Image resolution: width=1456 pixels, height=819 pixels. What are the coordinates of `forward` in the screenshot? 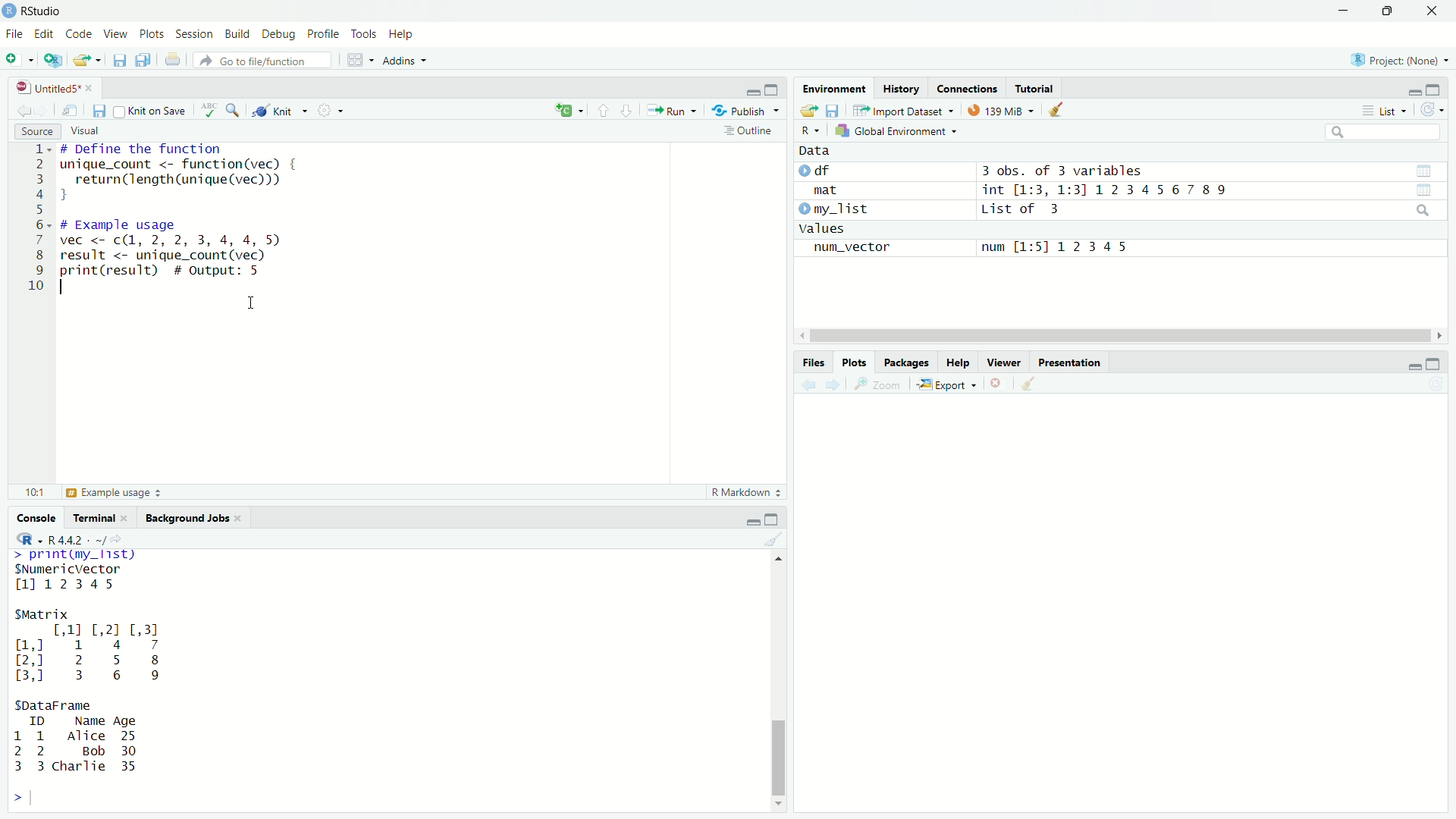 It's located at (42, 110).